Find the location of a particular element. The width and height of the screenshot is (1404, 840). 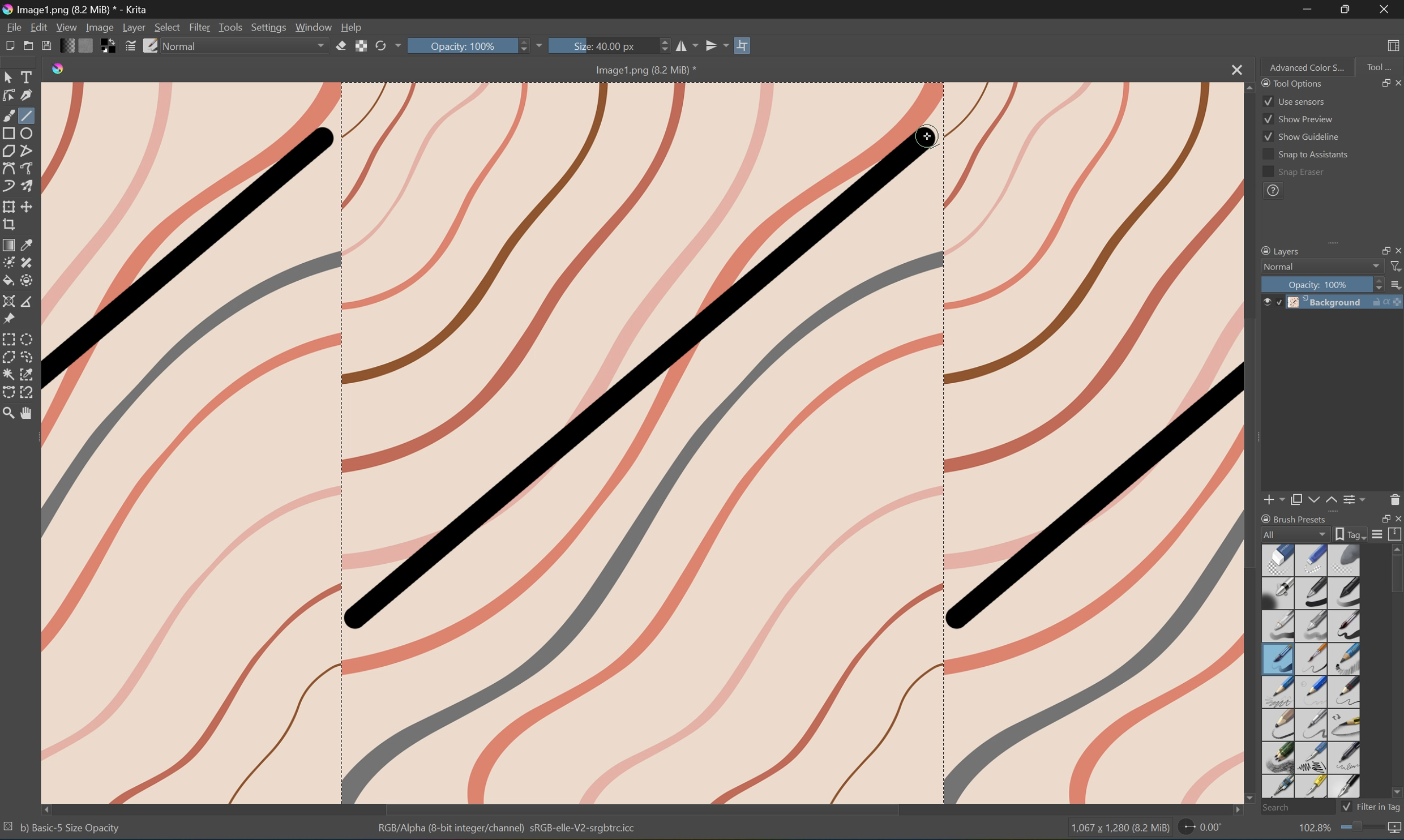

Thumbnail is located at coordinates (1395, 284).